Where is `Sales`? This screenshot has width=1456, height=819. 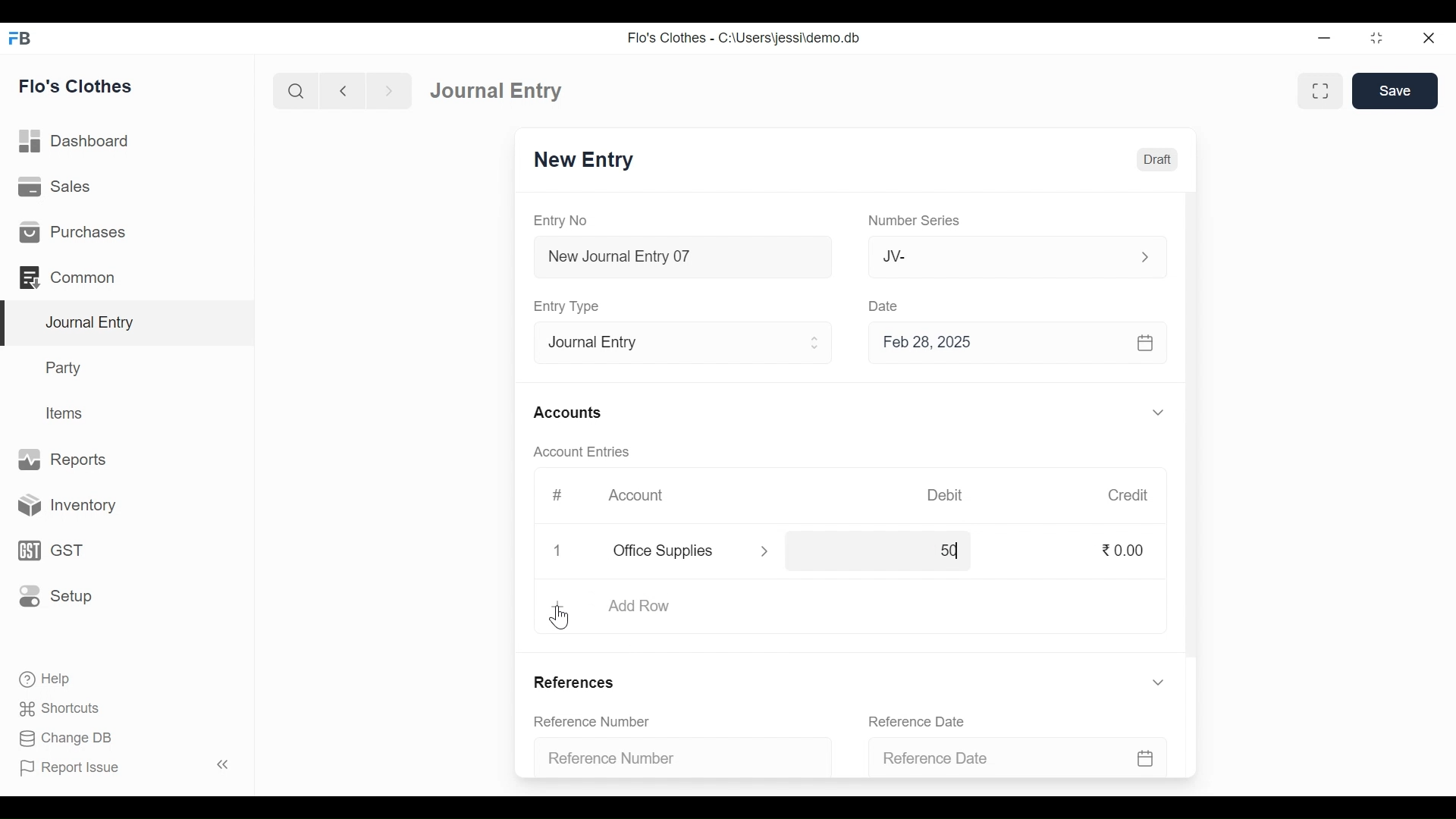
Sales is located at coordinates (57, 186).